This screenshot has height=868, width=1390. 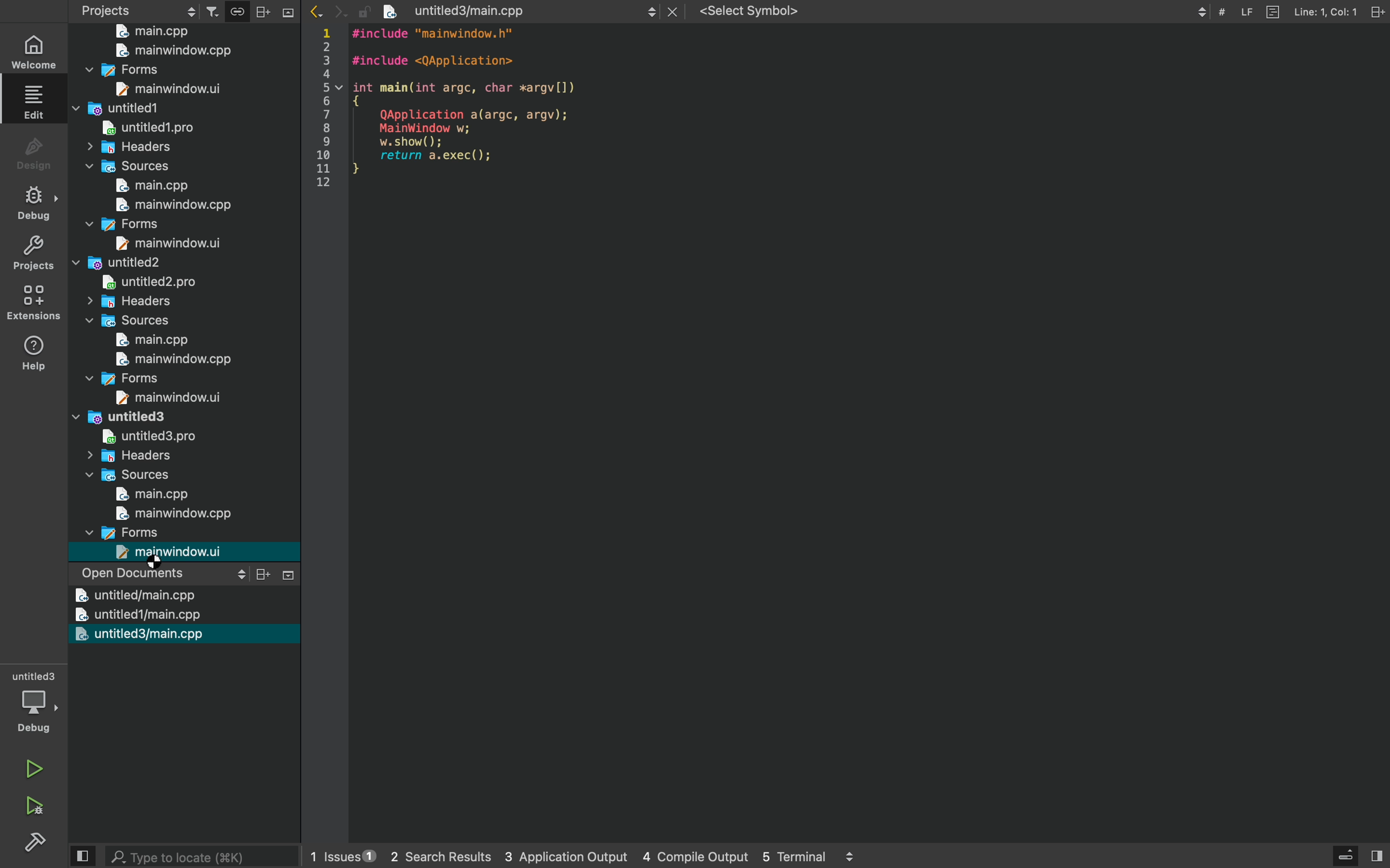 What do you see at coordinates (34, 805) in the screenshot?
I see `debug and run` at bounding box center [34, 805].